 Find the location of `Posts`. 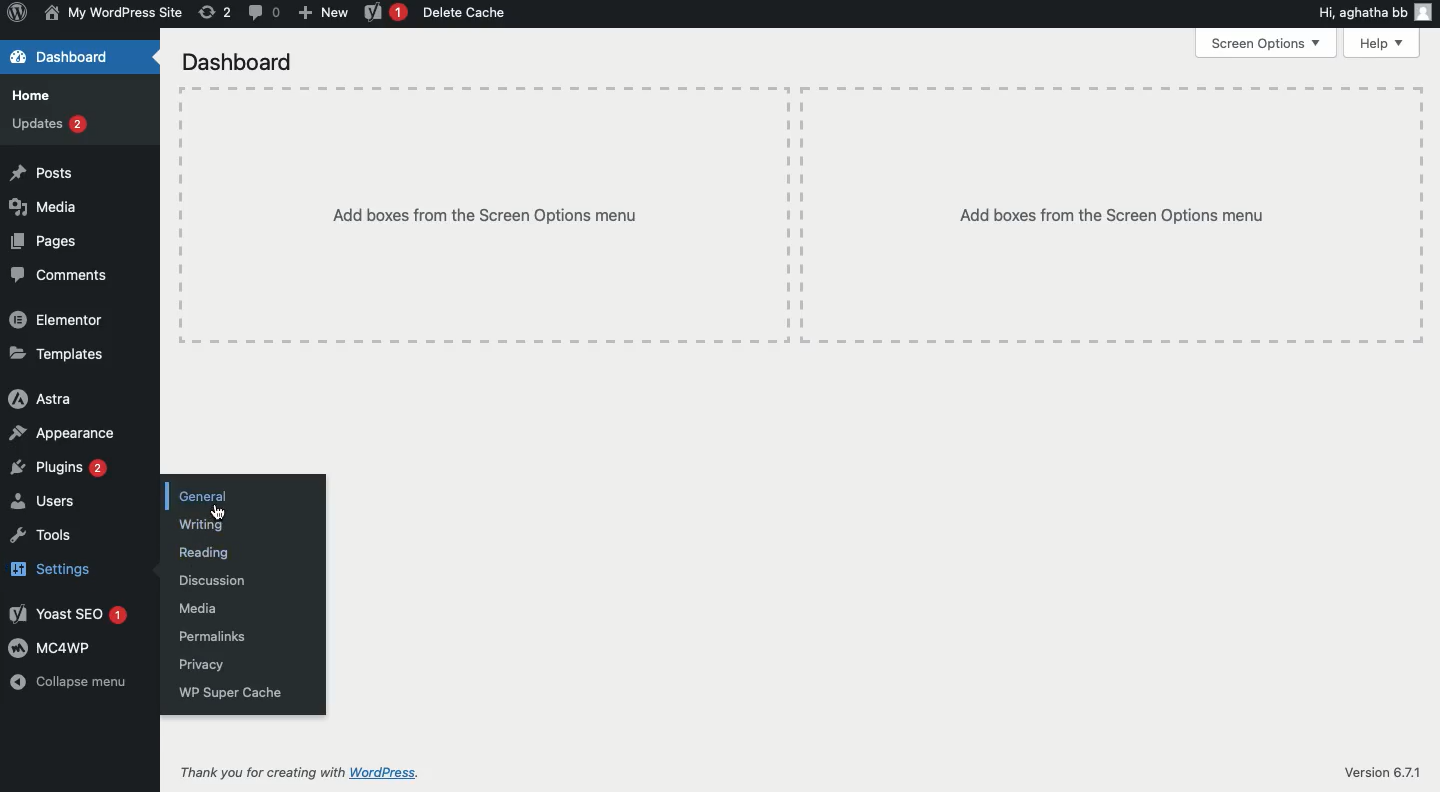

Posts is located at coordinates (40, 171).